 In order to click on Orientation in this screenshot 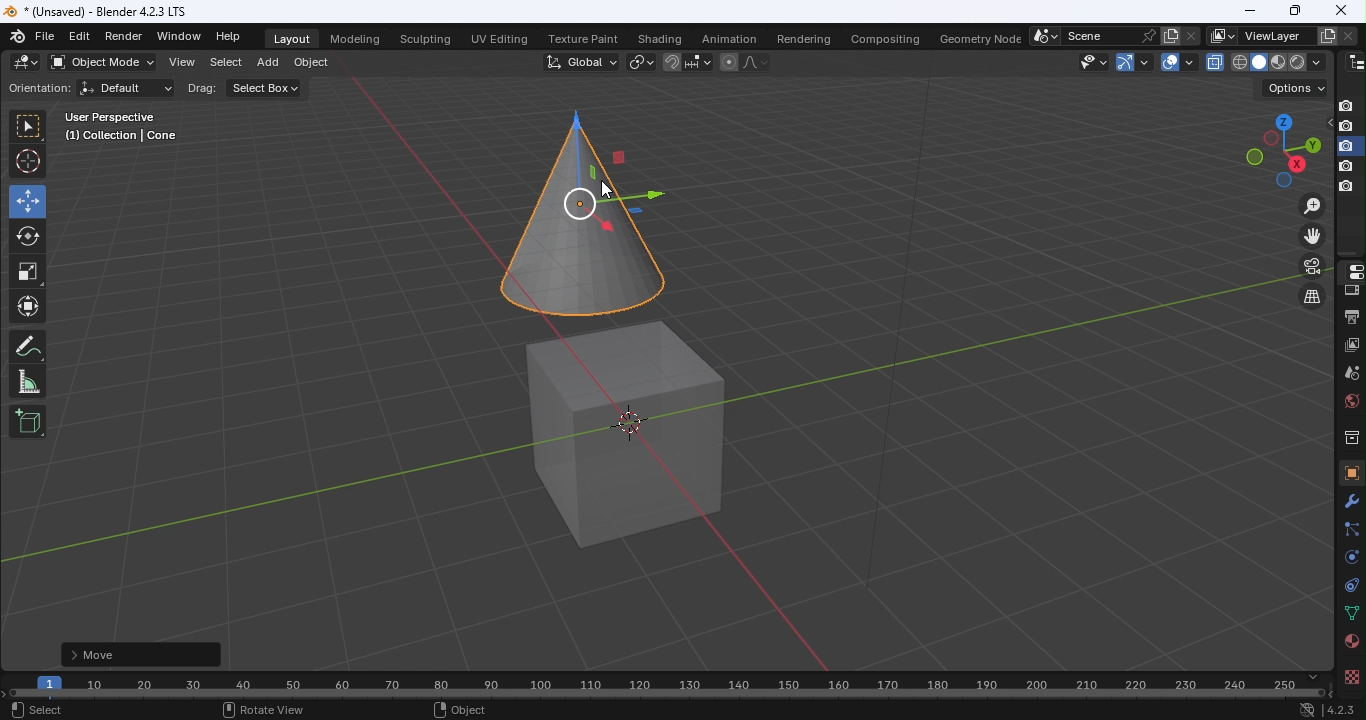, I will do `click(36, 89)`.